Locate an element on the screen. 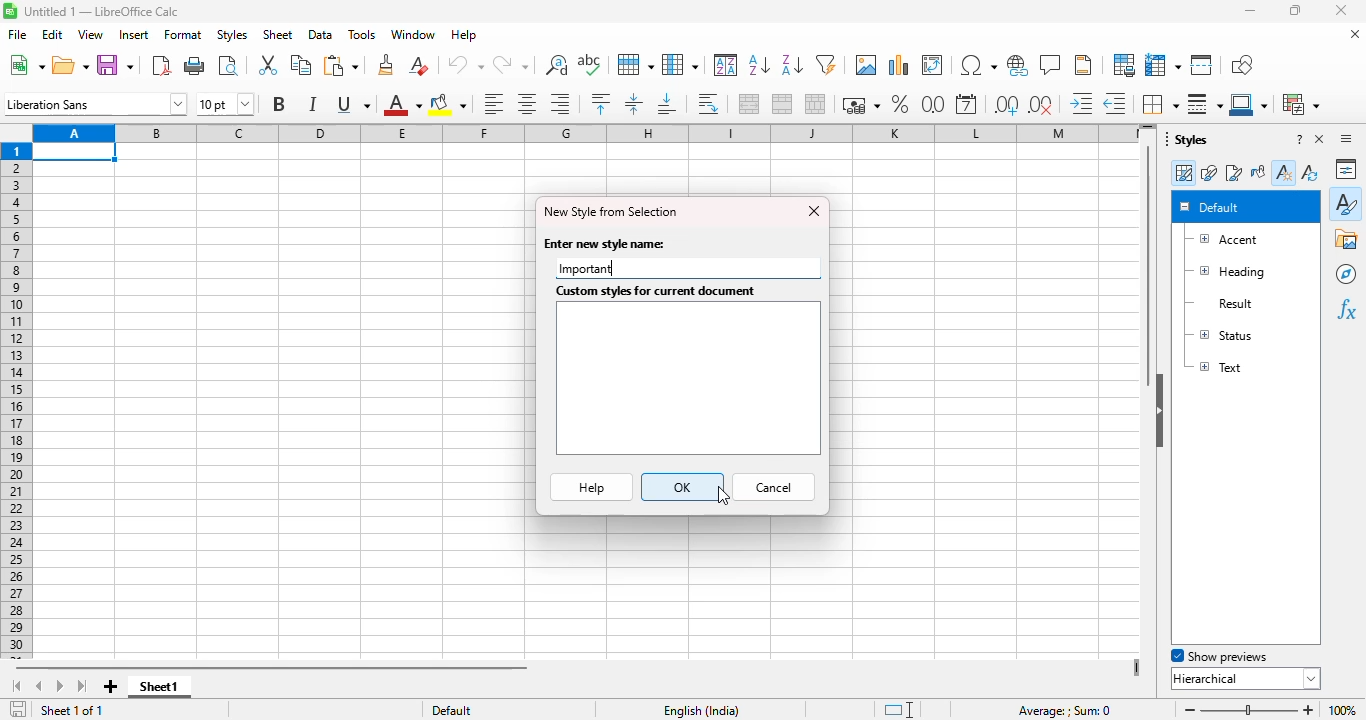  show draw functions is located at coordinates (1242, 65).